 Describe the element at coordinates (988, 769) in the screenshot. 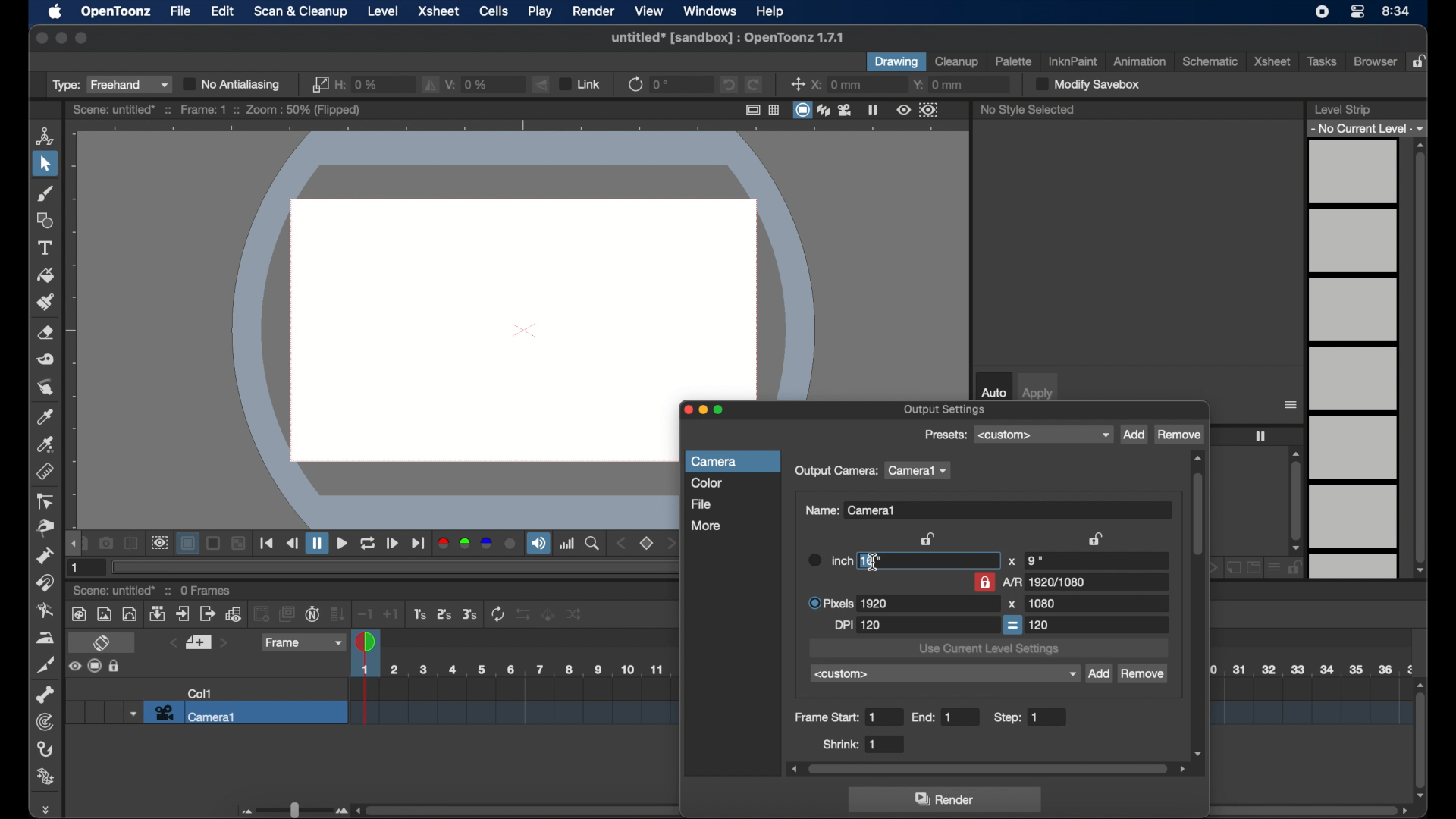

I see `scroll box` at that location.